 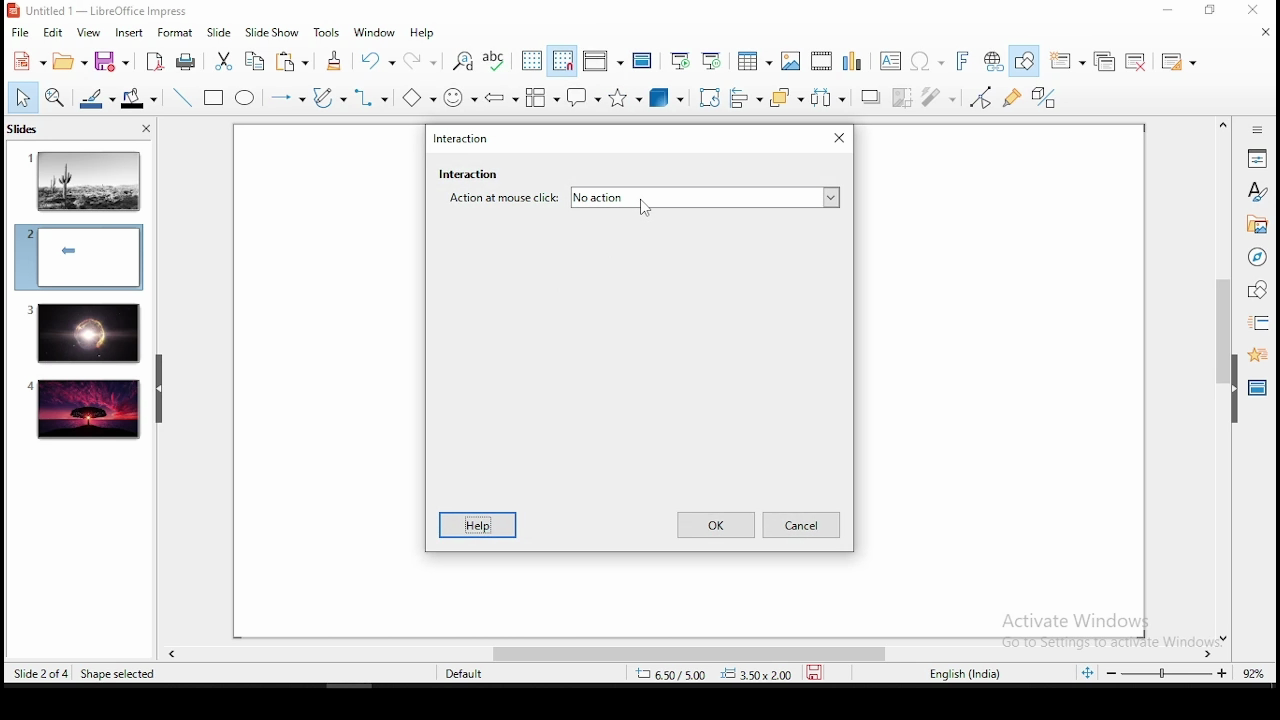 I want to click on gallery, so click(x=1257, y=227).